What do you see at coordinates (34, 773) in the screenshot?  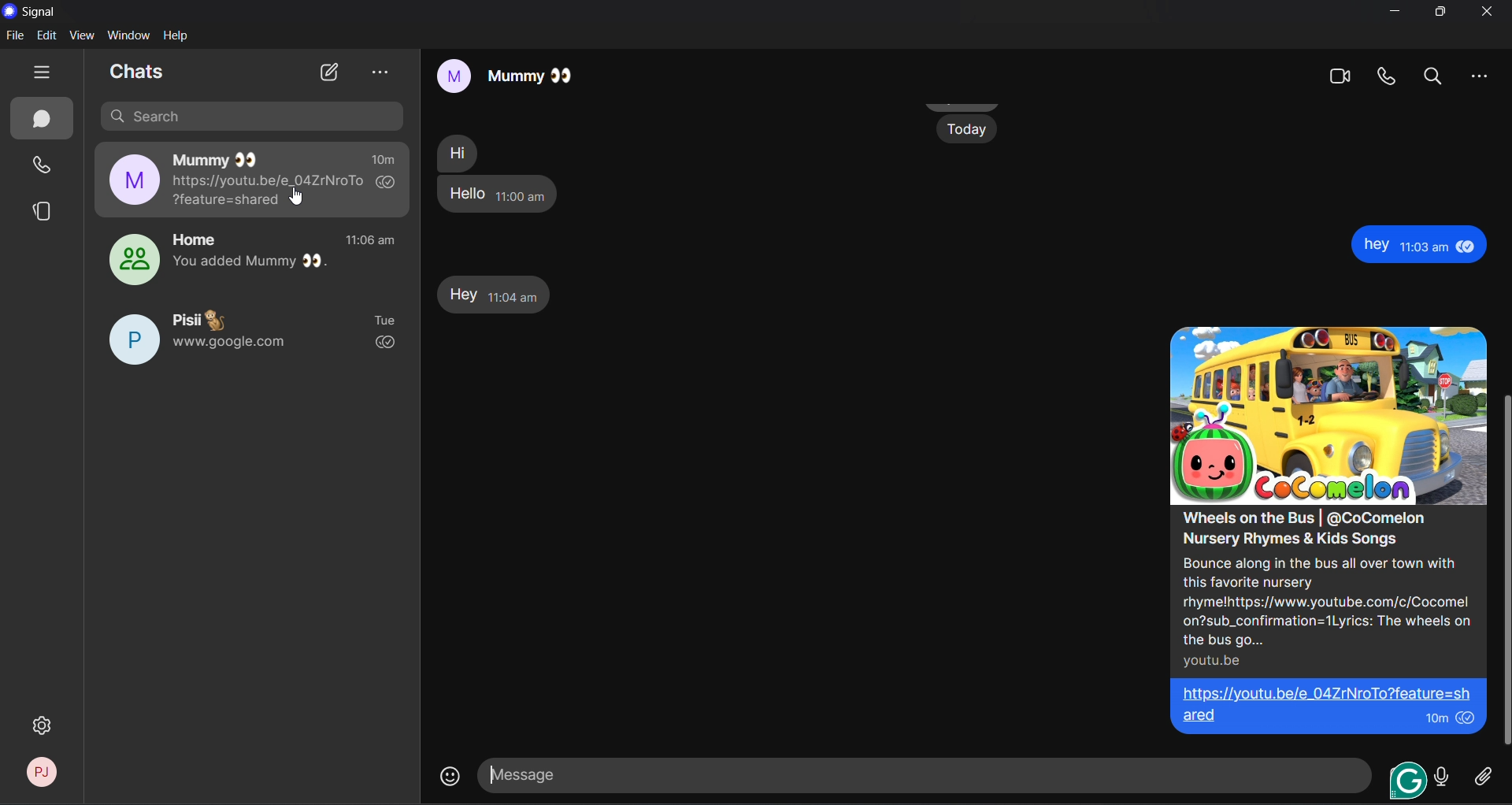 I see `profile` at bounding box center [34, 773].